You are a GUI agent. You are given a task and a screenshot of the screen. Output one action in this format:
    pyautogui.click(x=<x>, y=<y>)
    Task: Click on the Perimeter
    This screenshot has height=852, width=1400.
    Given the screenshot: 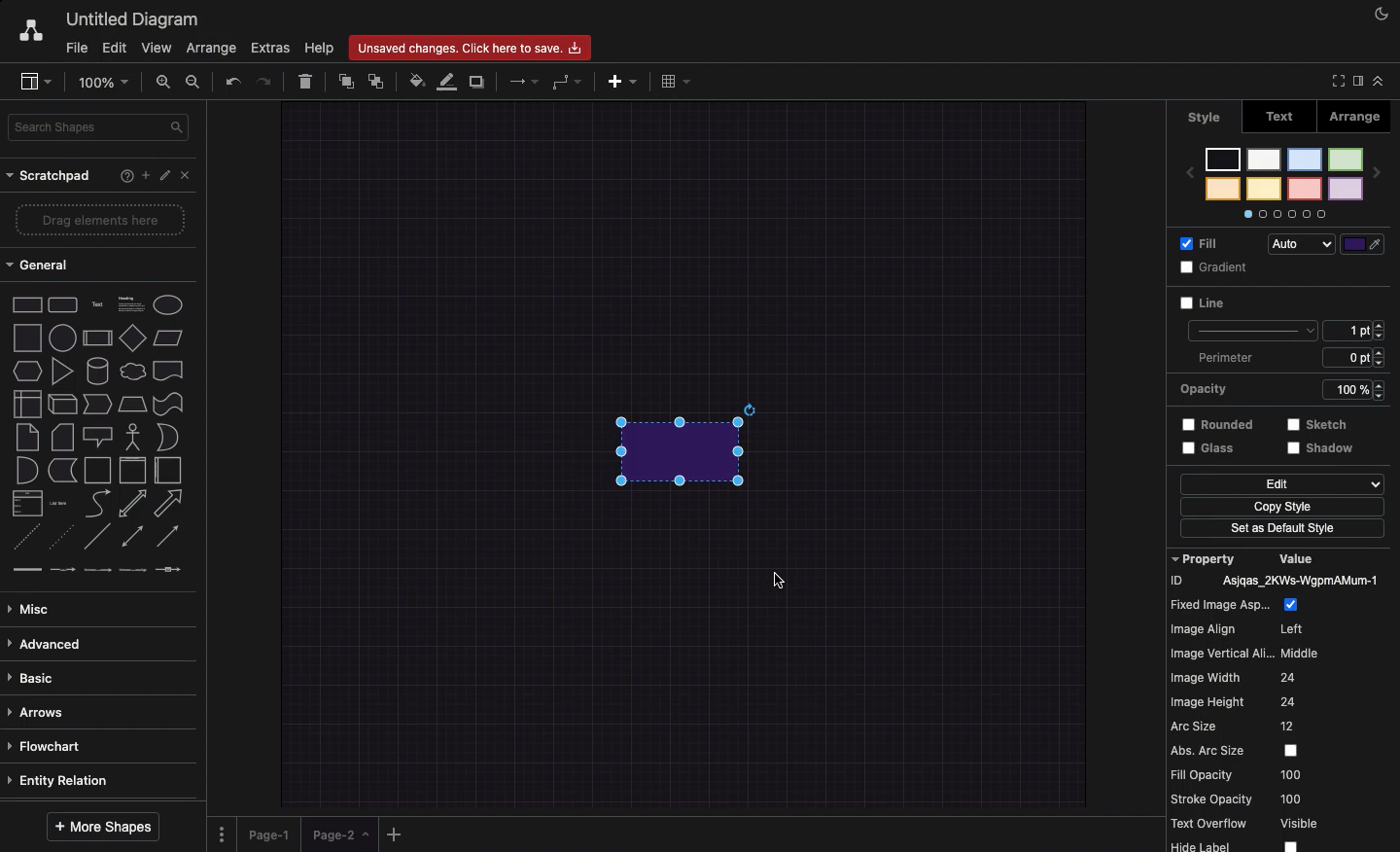 What is the action you would take?
    pyautogui.click(x=1224, y=358)
    